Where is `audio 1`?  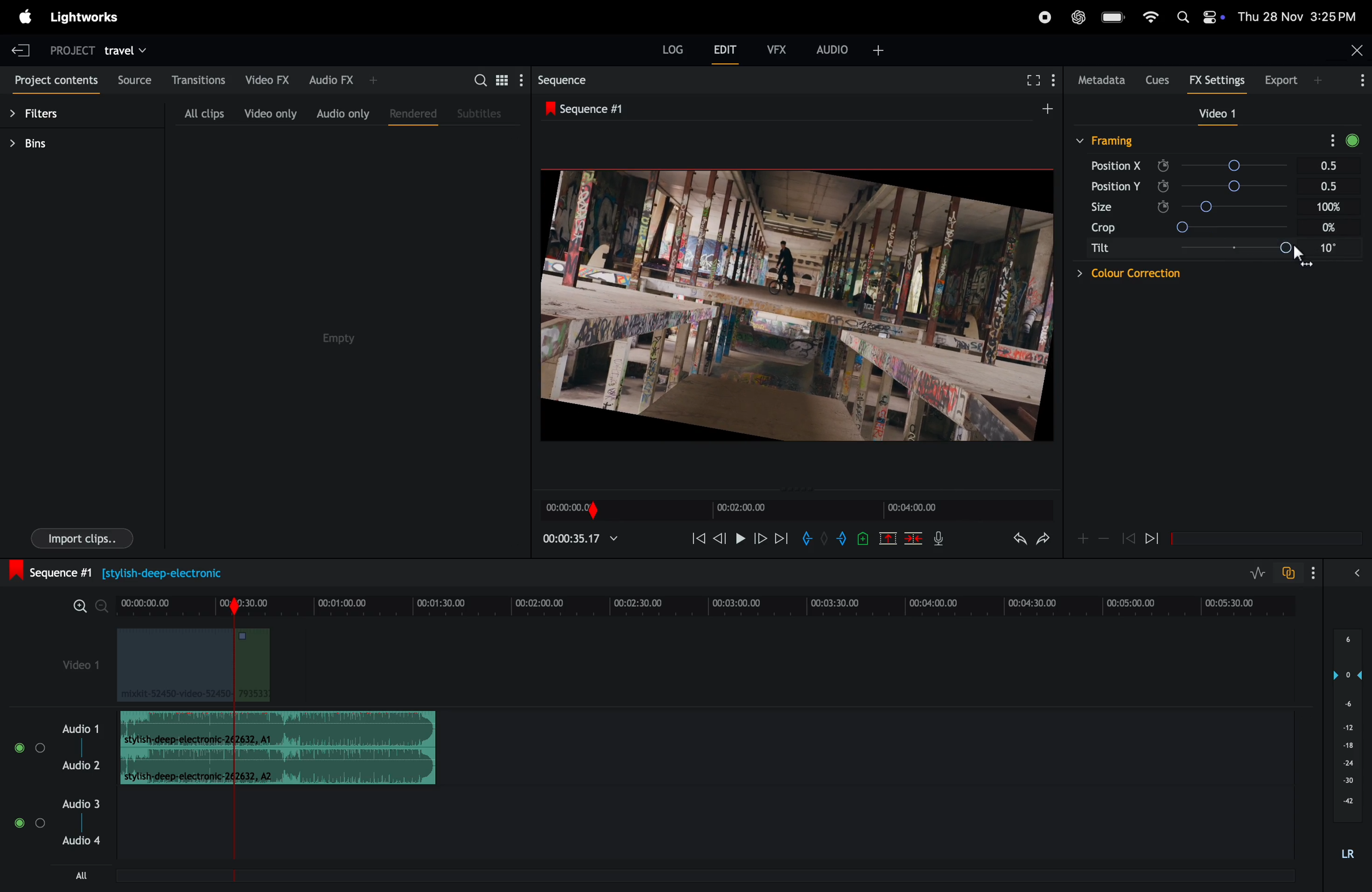 audio 1 is located at coordinates (81, 729).